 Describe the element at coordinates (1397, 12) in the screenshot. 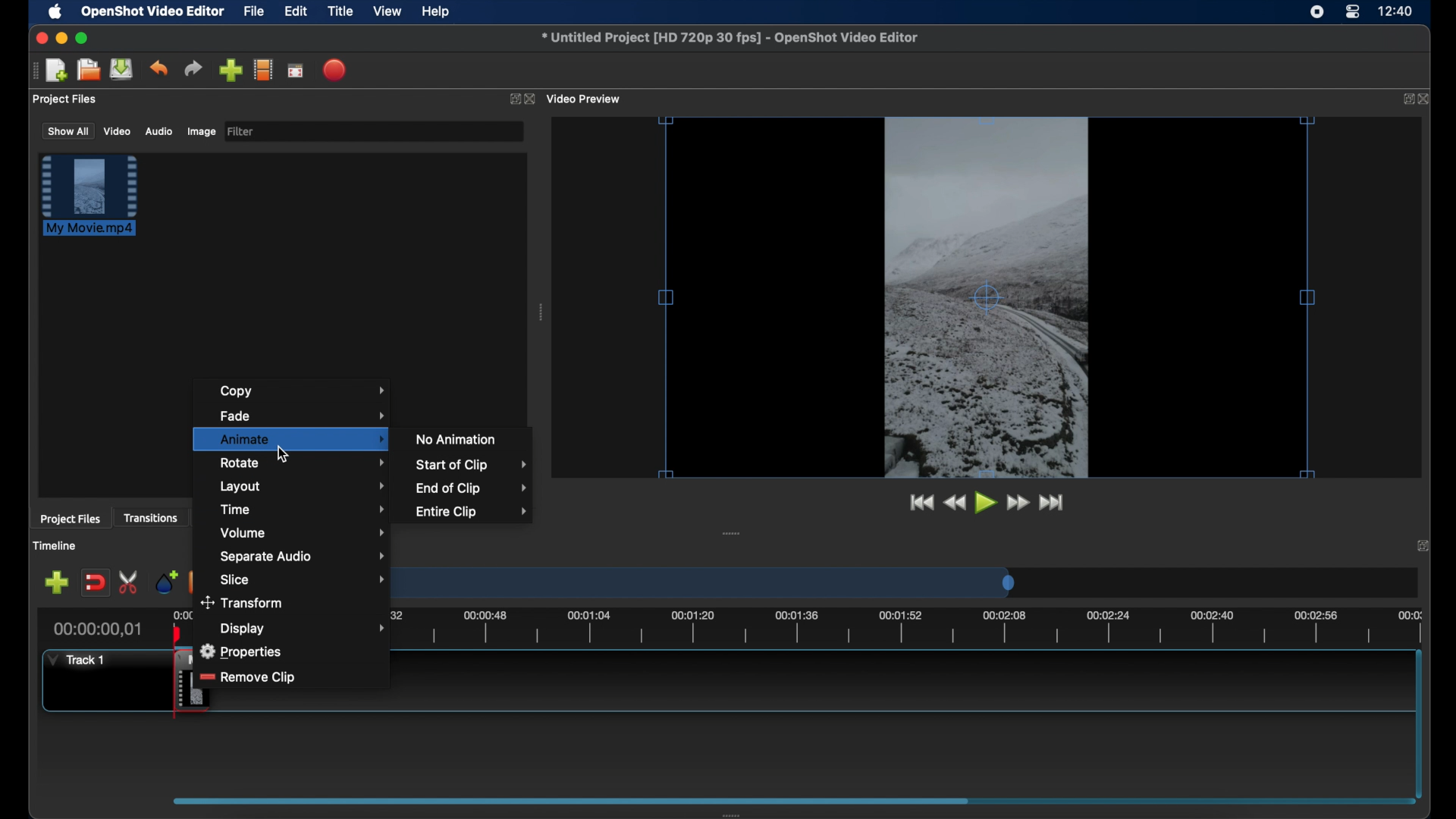

I see `time` at that location.